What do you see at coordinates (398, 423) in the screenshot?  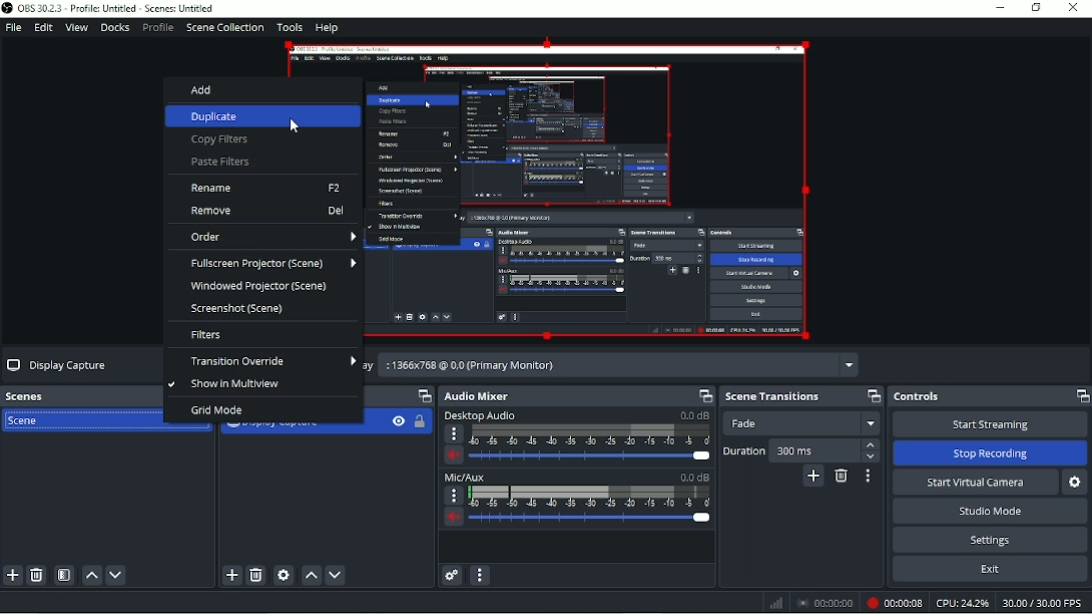 I see `Hide` at bounding box center [398, 423].